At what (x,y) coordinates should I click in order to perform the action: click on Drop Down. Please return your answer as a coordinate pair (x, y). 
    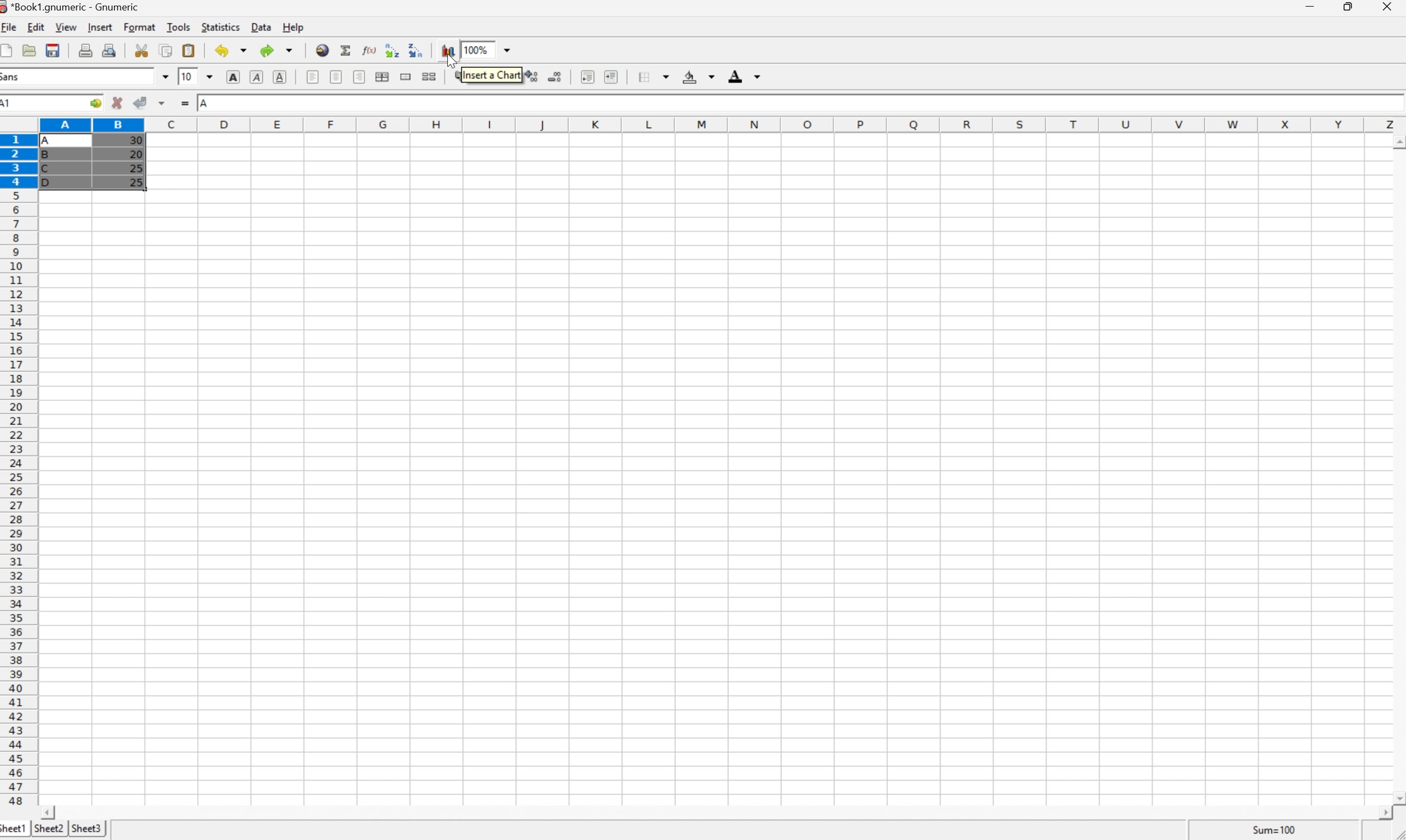
    Looking at the image, I should click on (164, 76).